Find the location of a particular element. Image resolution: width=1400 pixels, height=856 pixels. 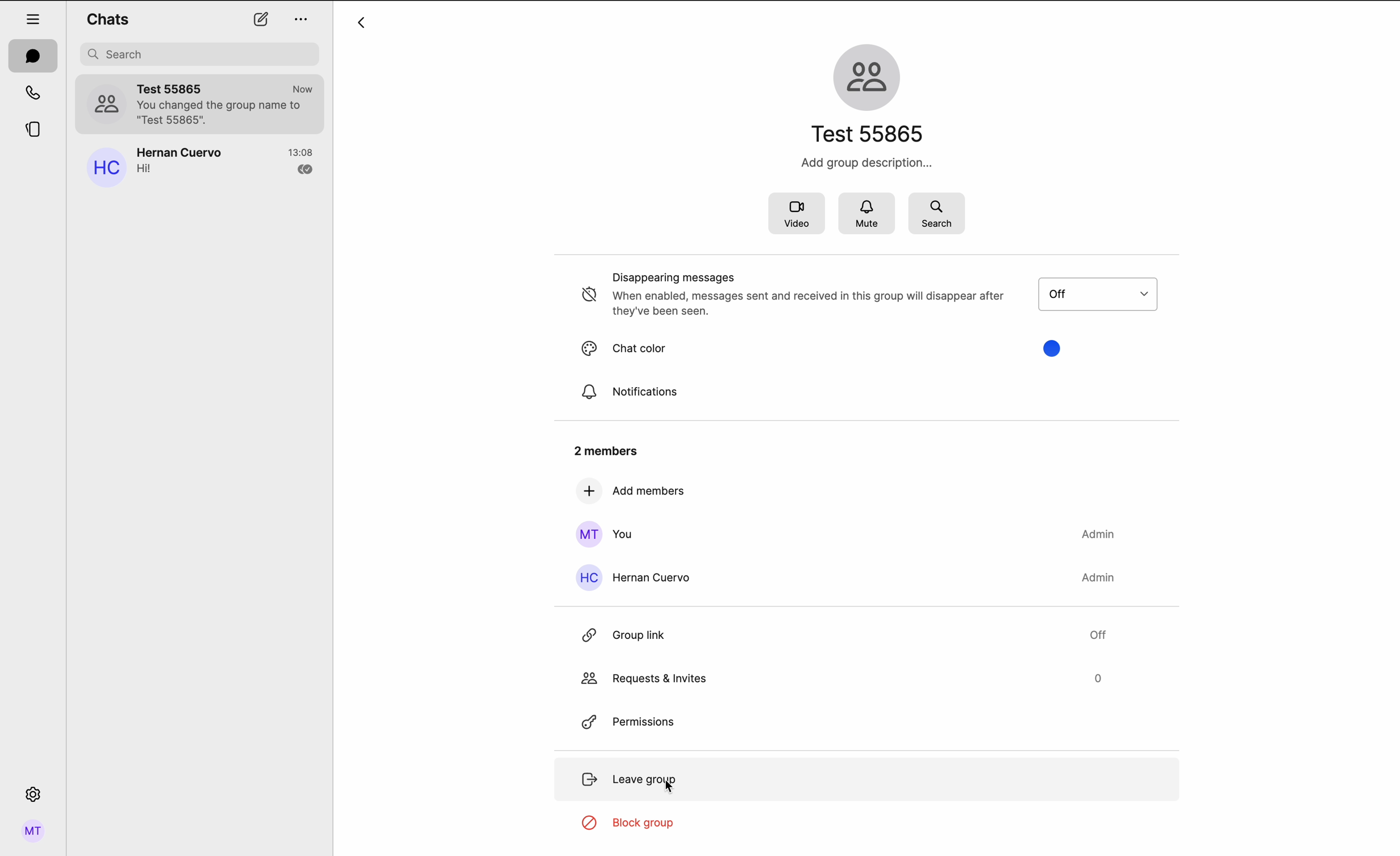

add group description is located at coordinates (864, 163).